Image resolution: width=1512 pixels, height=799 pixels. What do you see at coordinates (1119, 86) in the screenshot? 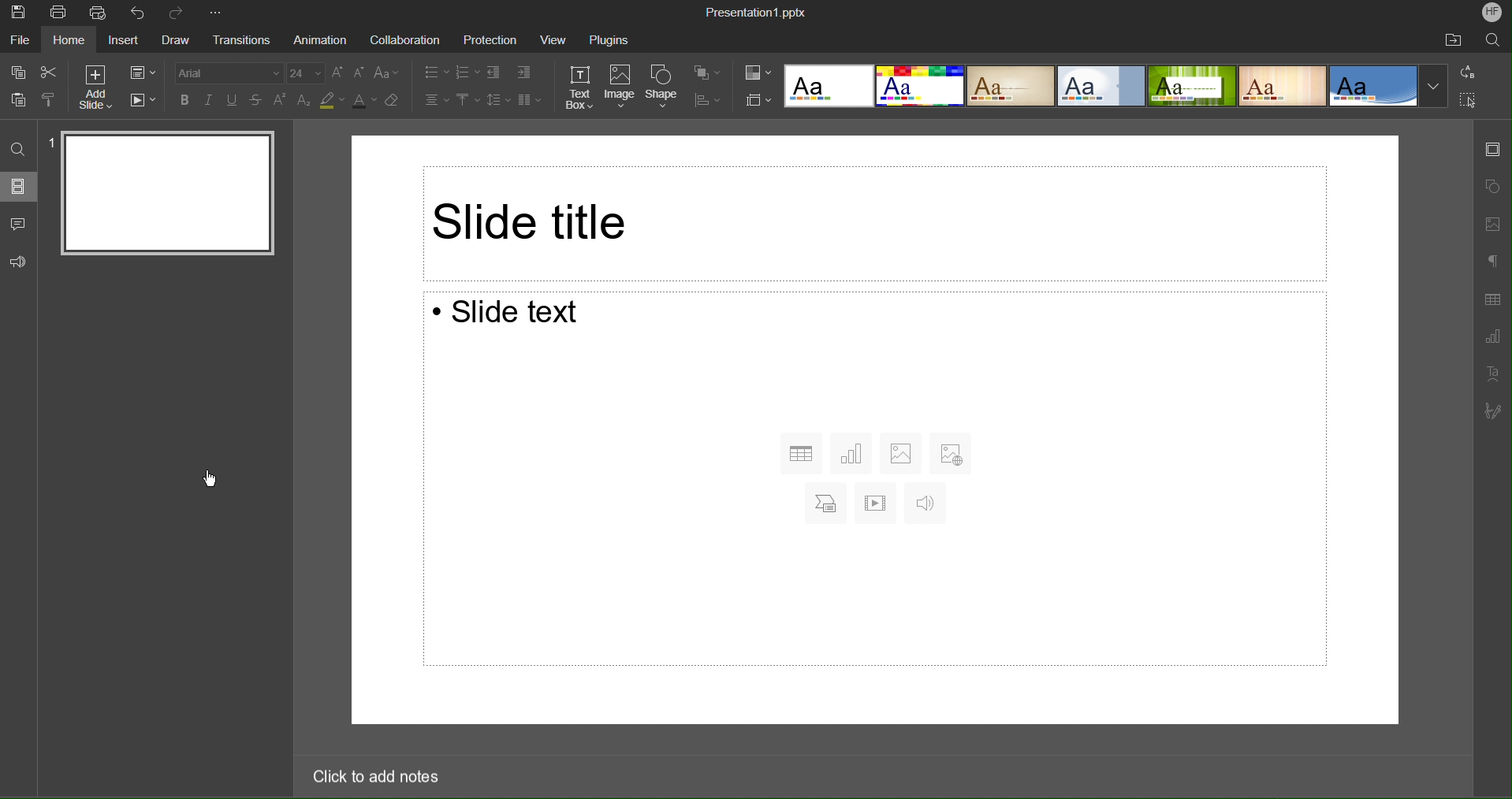
I see `Templates` at bounding box center [1119, 86].